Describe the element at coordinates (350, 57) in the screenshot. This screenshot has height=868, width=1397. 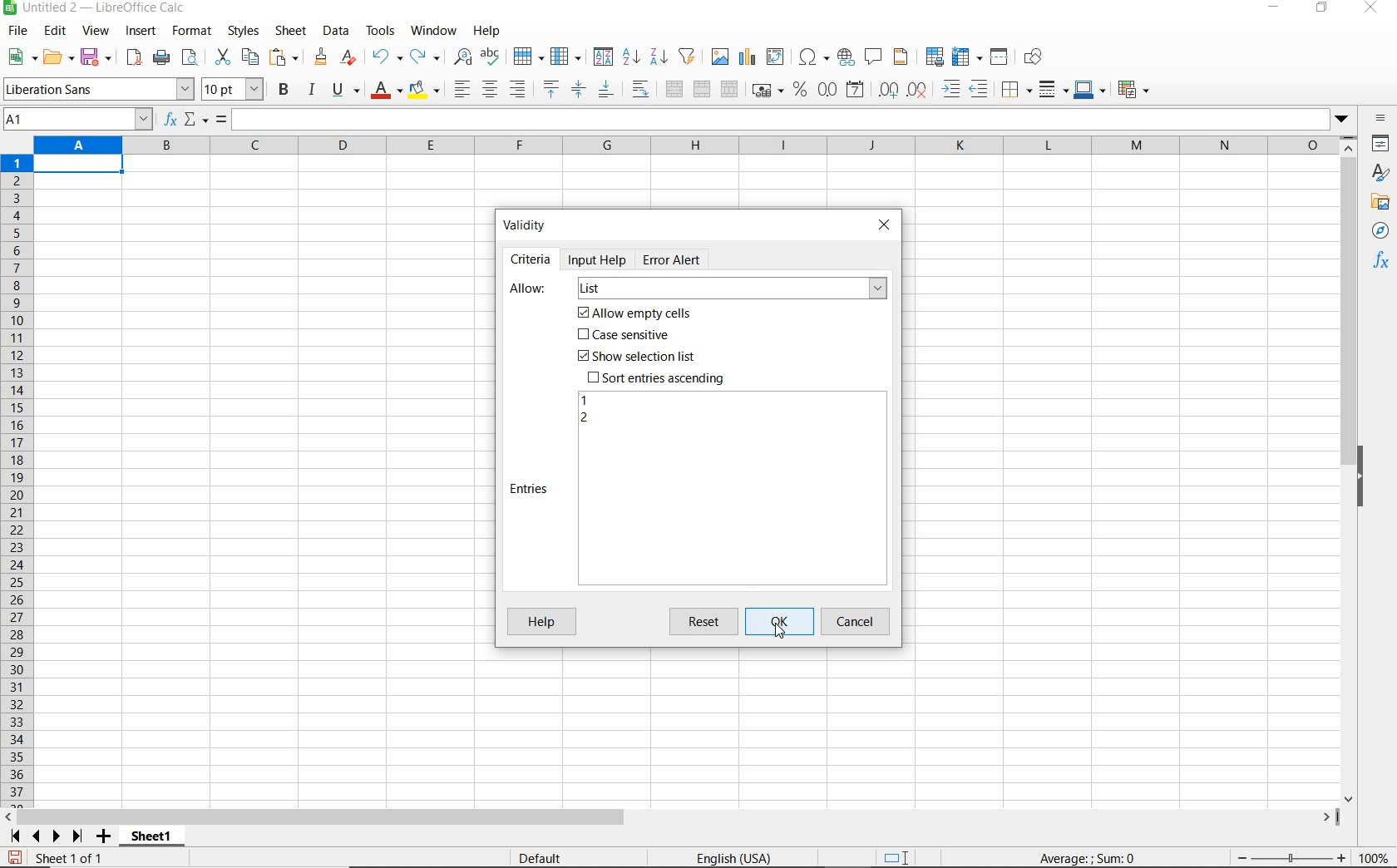
I see `clear direct formatting` at that location.